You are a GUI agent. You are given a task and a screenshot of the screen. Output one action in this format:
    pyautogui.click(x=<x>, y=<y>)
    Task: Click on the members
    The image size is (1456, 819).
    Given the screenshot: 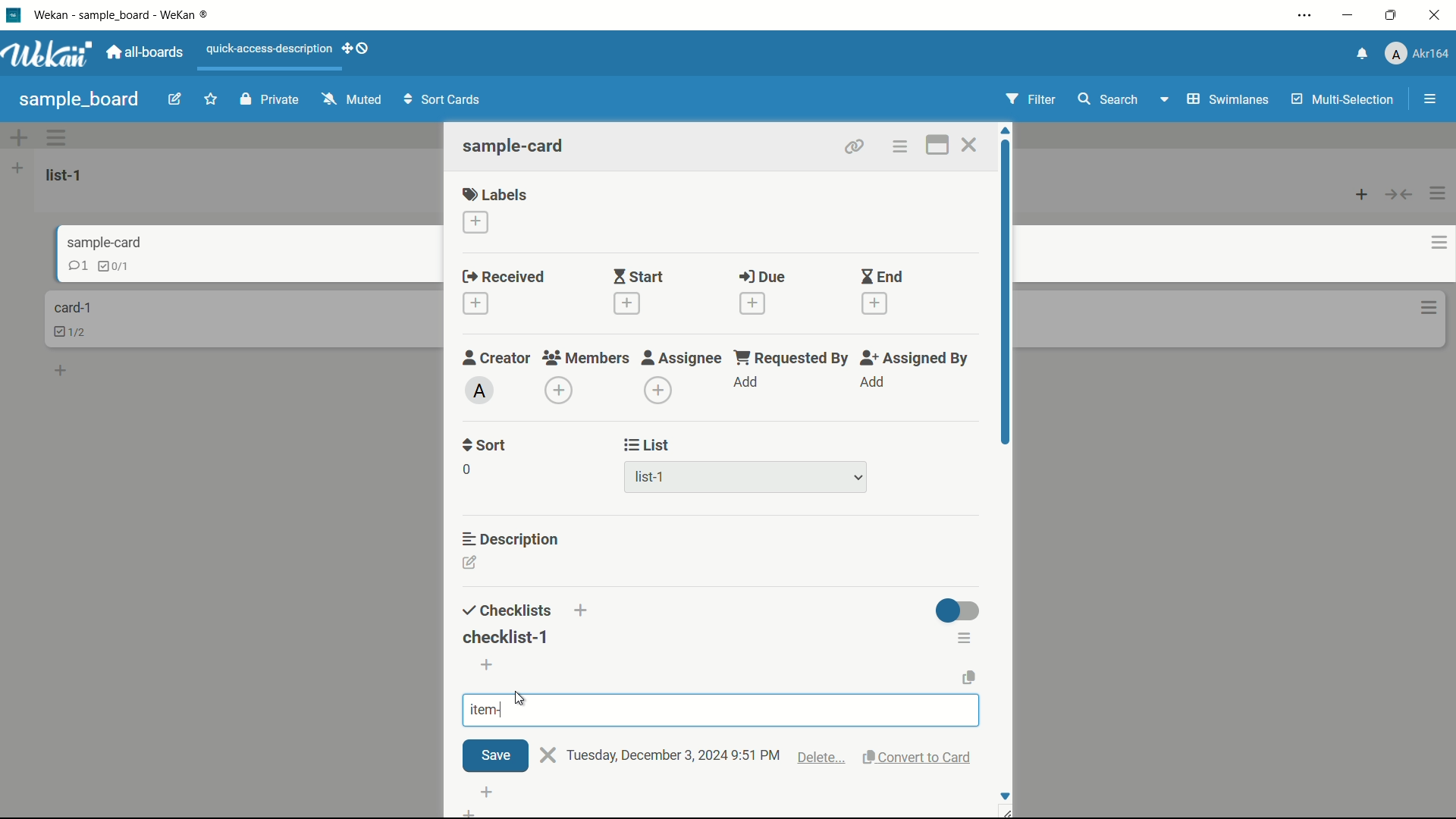 What is the action you would take?
    pyautogui.click(x=584, y=358)
    